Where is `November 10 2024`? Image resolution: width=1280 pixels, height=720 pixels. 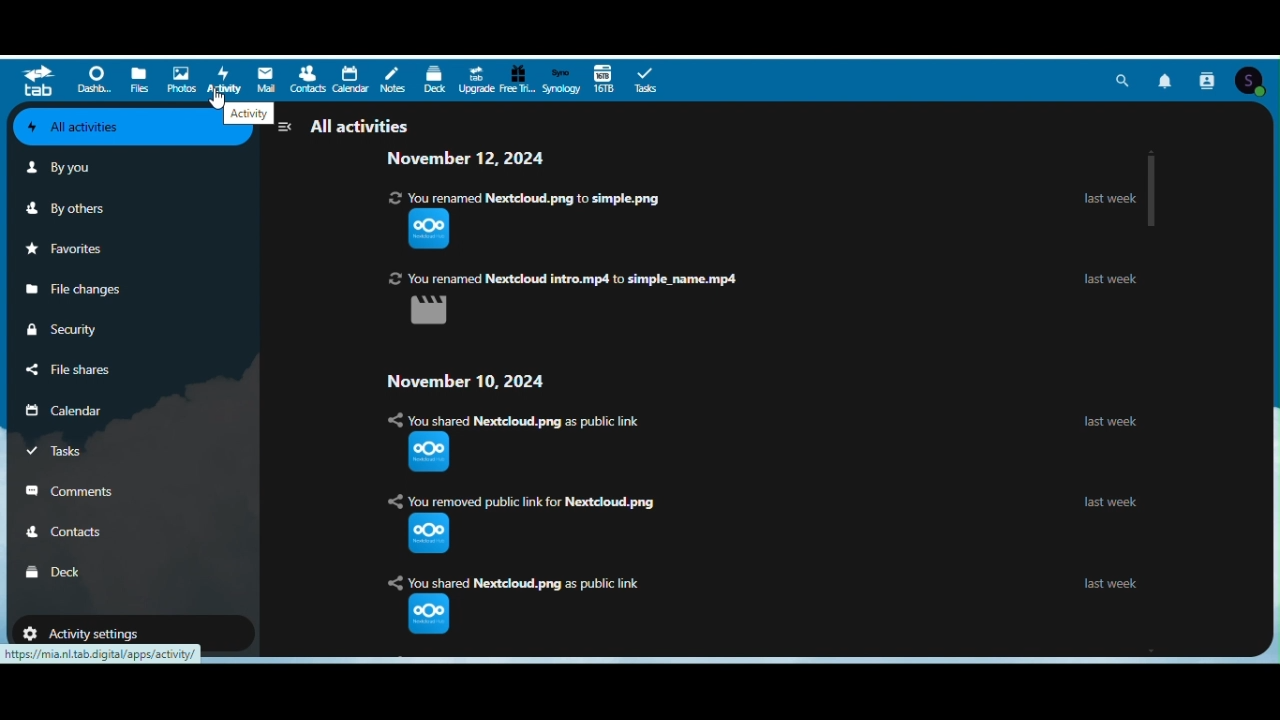 November 10 2024 is located at coordinates (470, 380).